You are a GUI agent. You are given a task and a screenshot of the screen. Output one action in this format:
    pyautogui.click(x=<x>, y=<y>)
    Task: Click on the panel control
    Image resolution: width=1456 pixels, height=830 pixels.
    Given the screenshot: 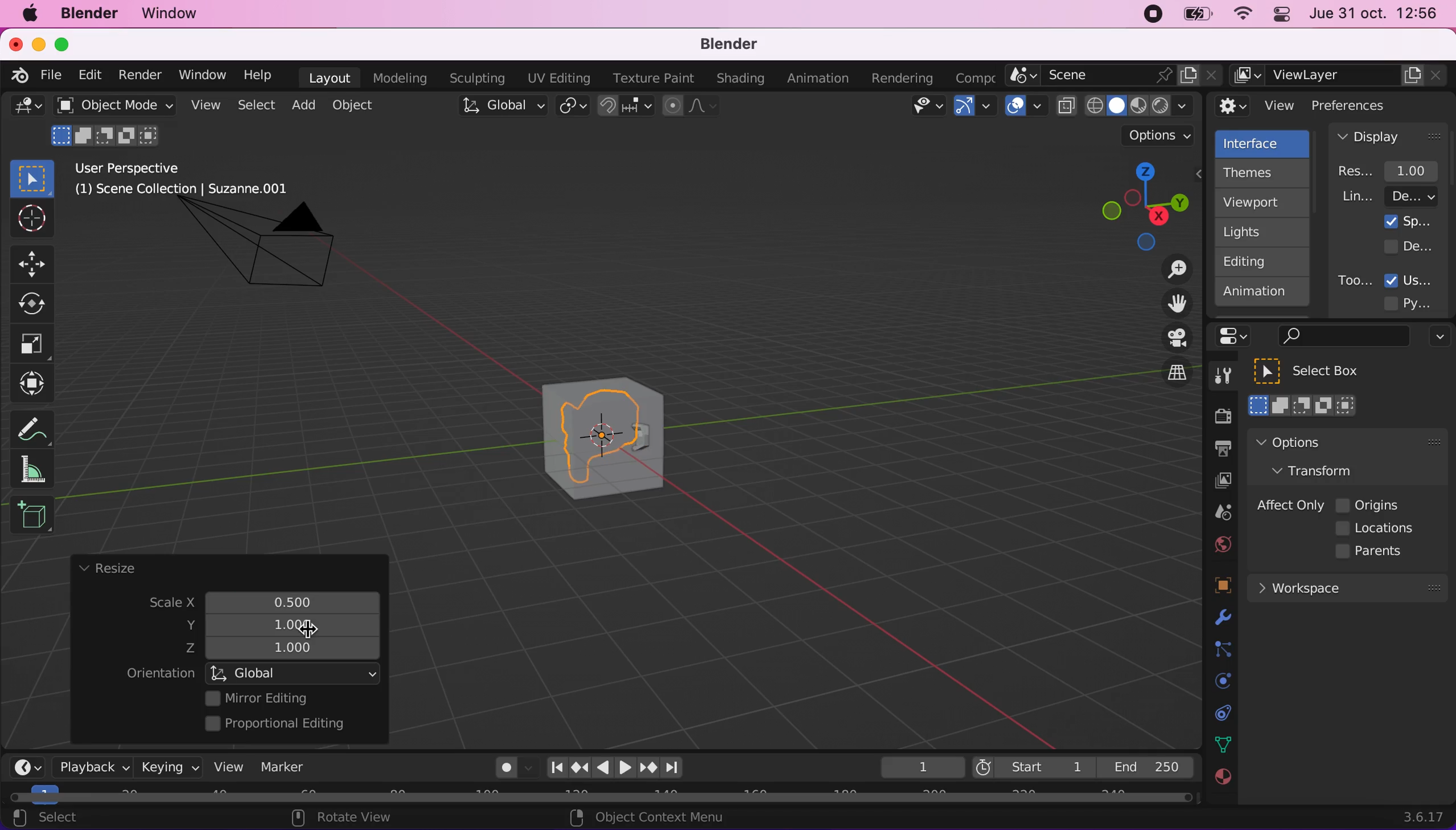 What is the action you would take?
    pyautogui.click(x=1237, y=336)
    